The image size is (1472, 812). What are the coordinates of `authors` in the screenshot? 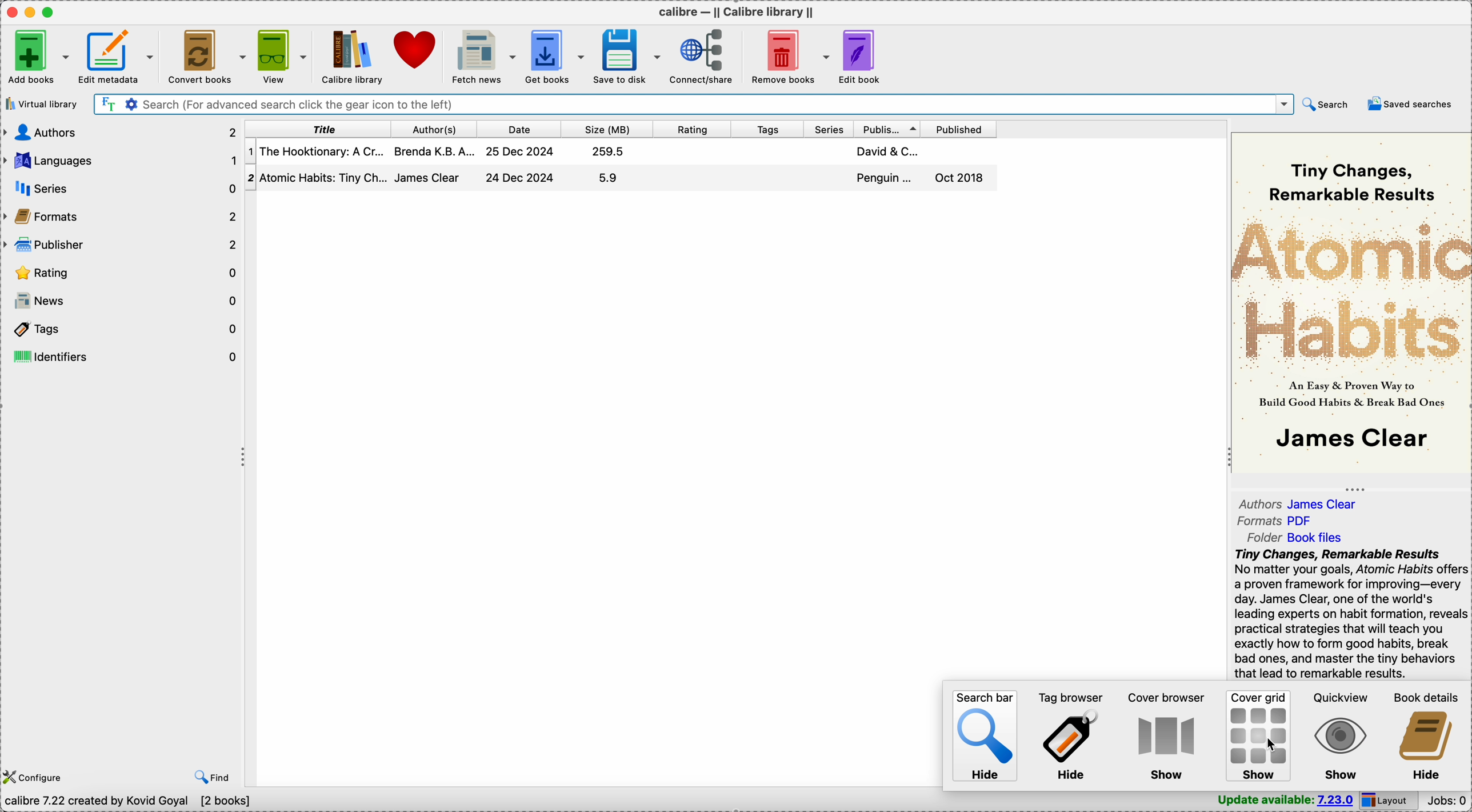 It's located at (122, 132).